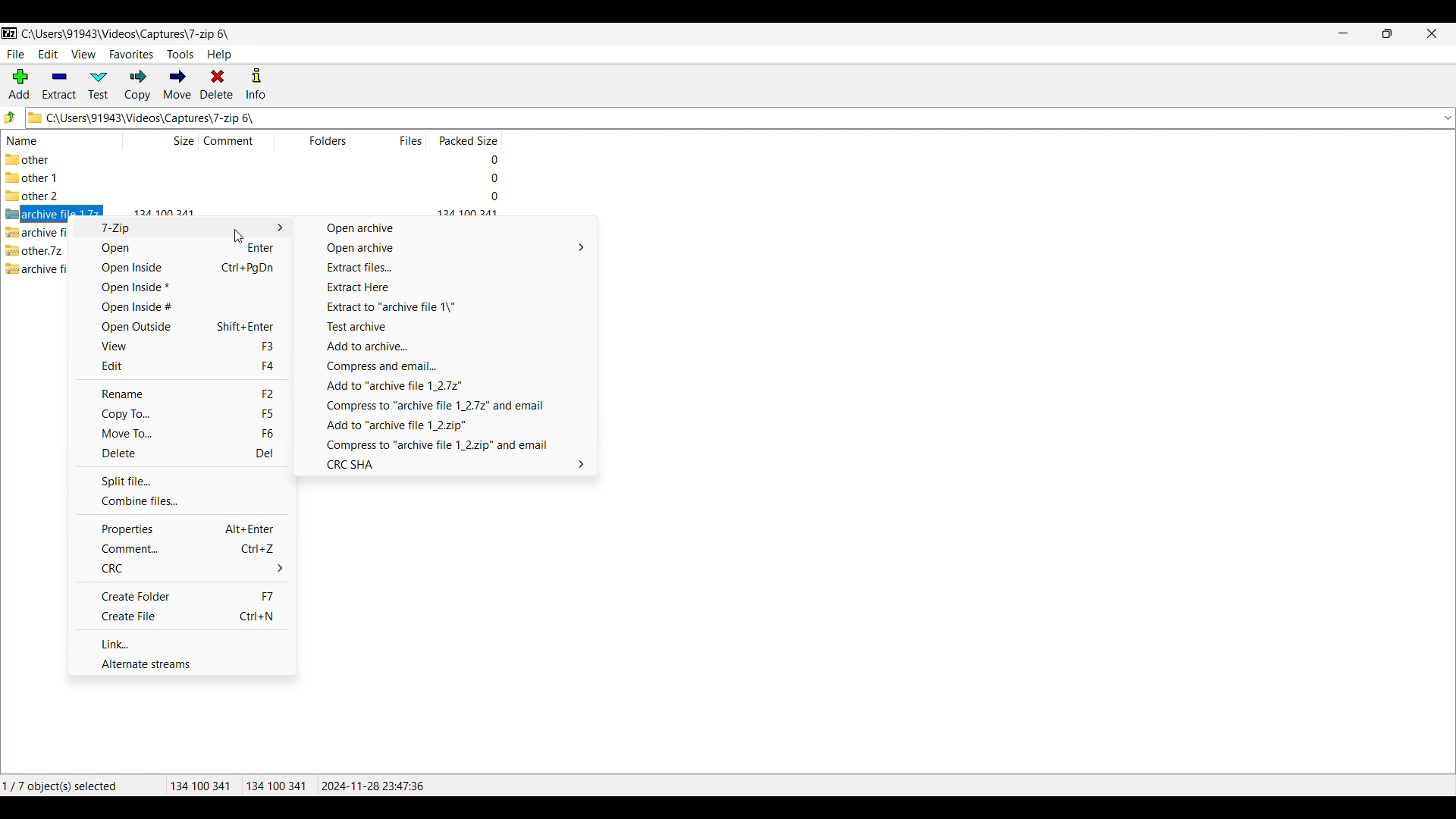 This screenshot has width=1456, height=819. What do you see at coordinates (19, 83) in the screenshot?
I see `Add` at bounding box center [19, 83].